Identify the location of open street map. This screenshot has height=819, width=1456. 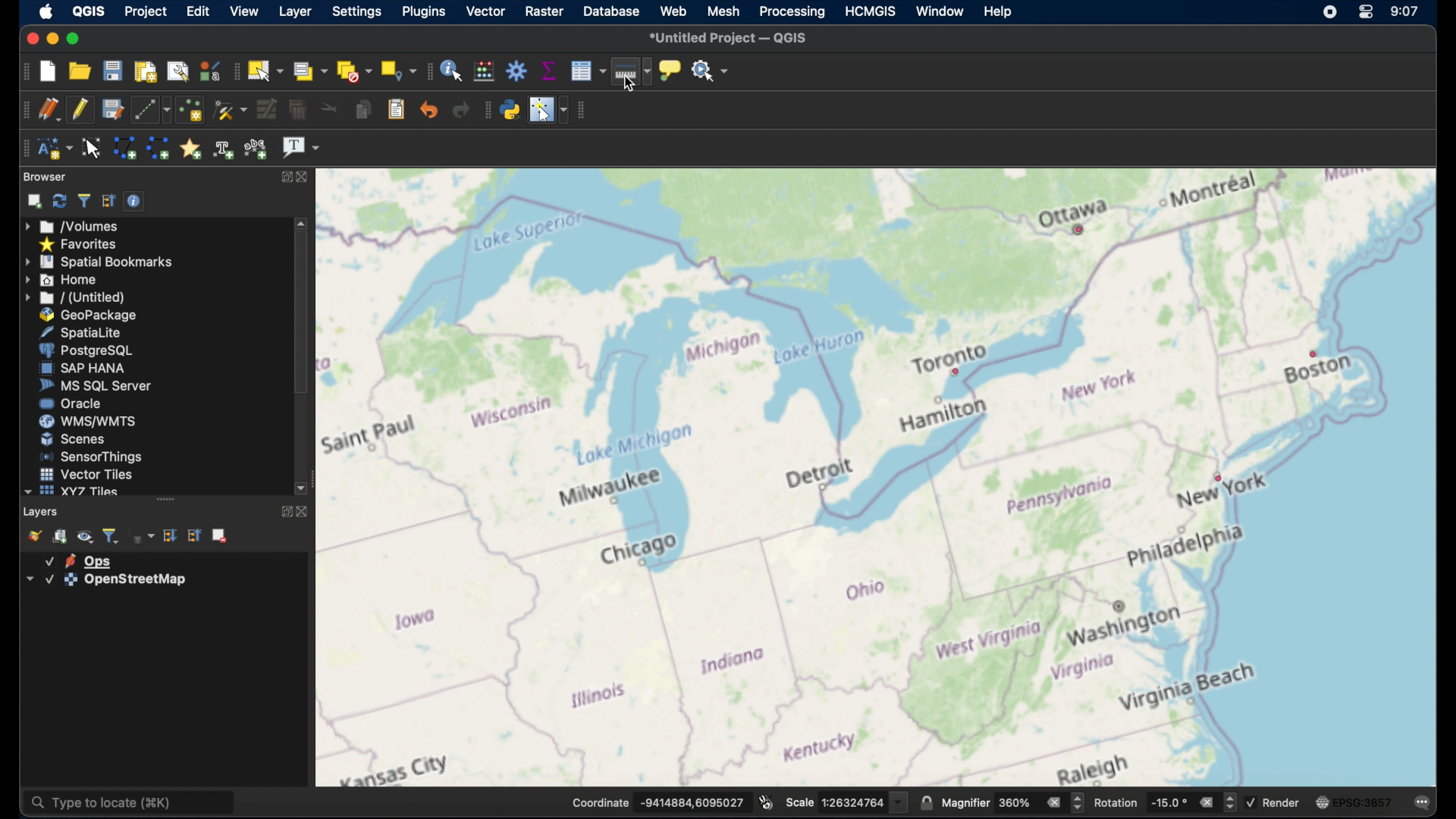
(631, 477).